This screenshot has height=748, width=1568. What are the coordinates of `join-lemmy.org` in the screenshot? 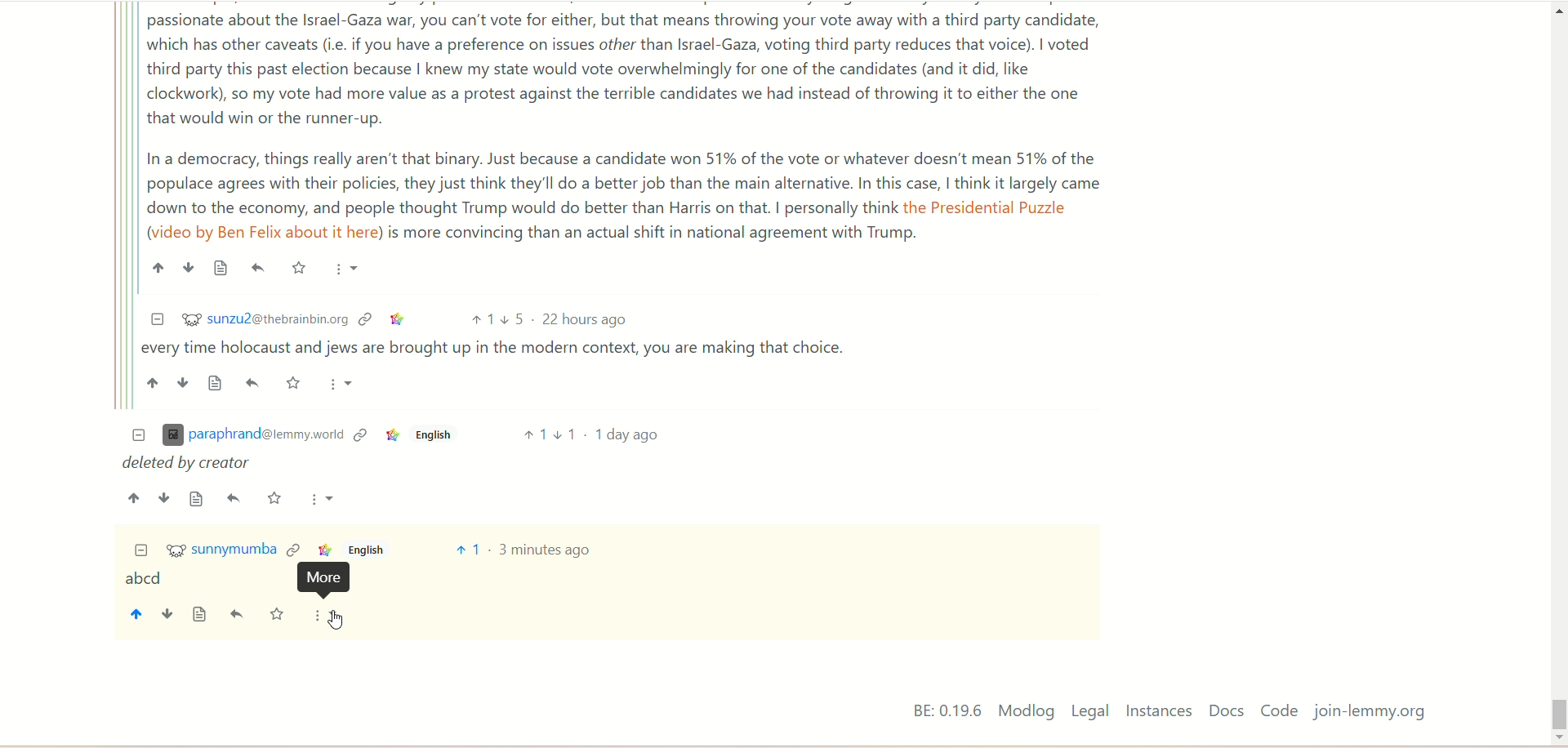 It's located at (1370, 712).